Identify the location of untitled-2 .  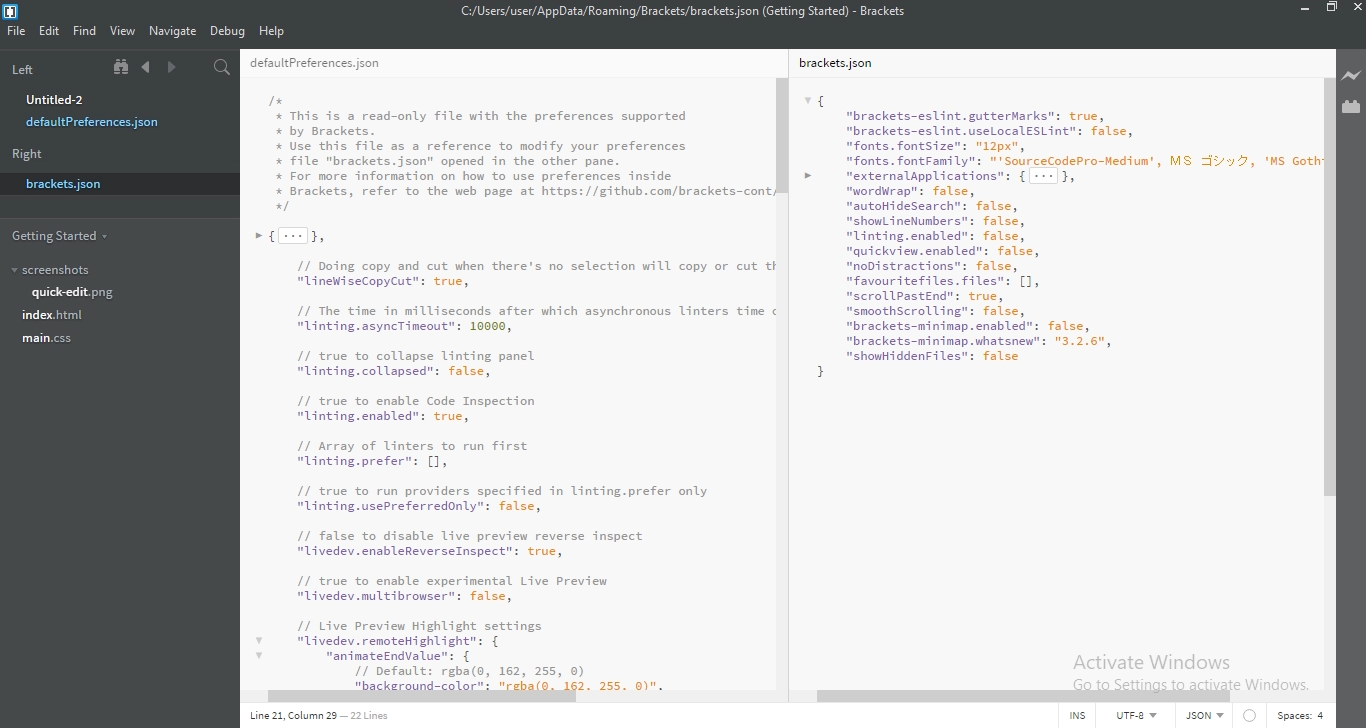
(58, 99).